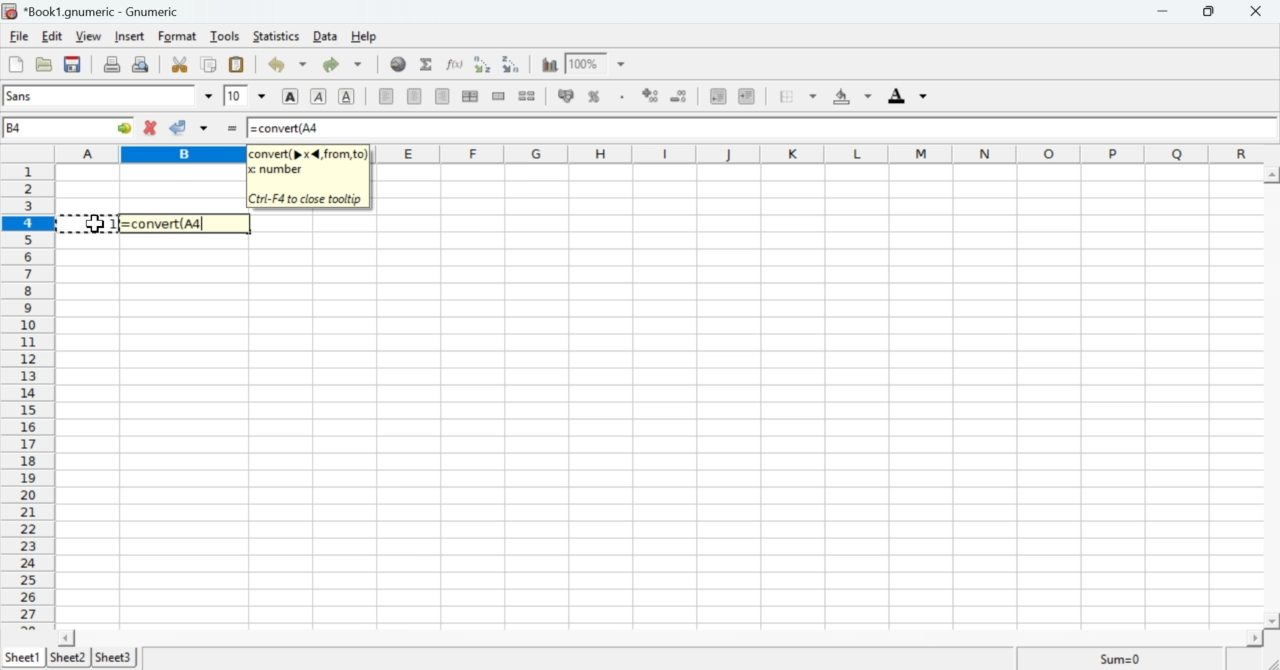  What do you see at coordinates (85, 224) in the screenshot?
I see `select` at bounding box center [85, 224].